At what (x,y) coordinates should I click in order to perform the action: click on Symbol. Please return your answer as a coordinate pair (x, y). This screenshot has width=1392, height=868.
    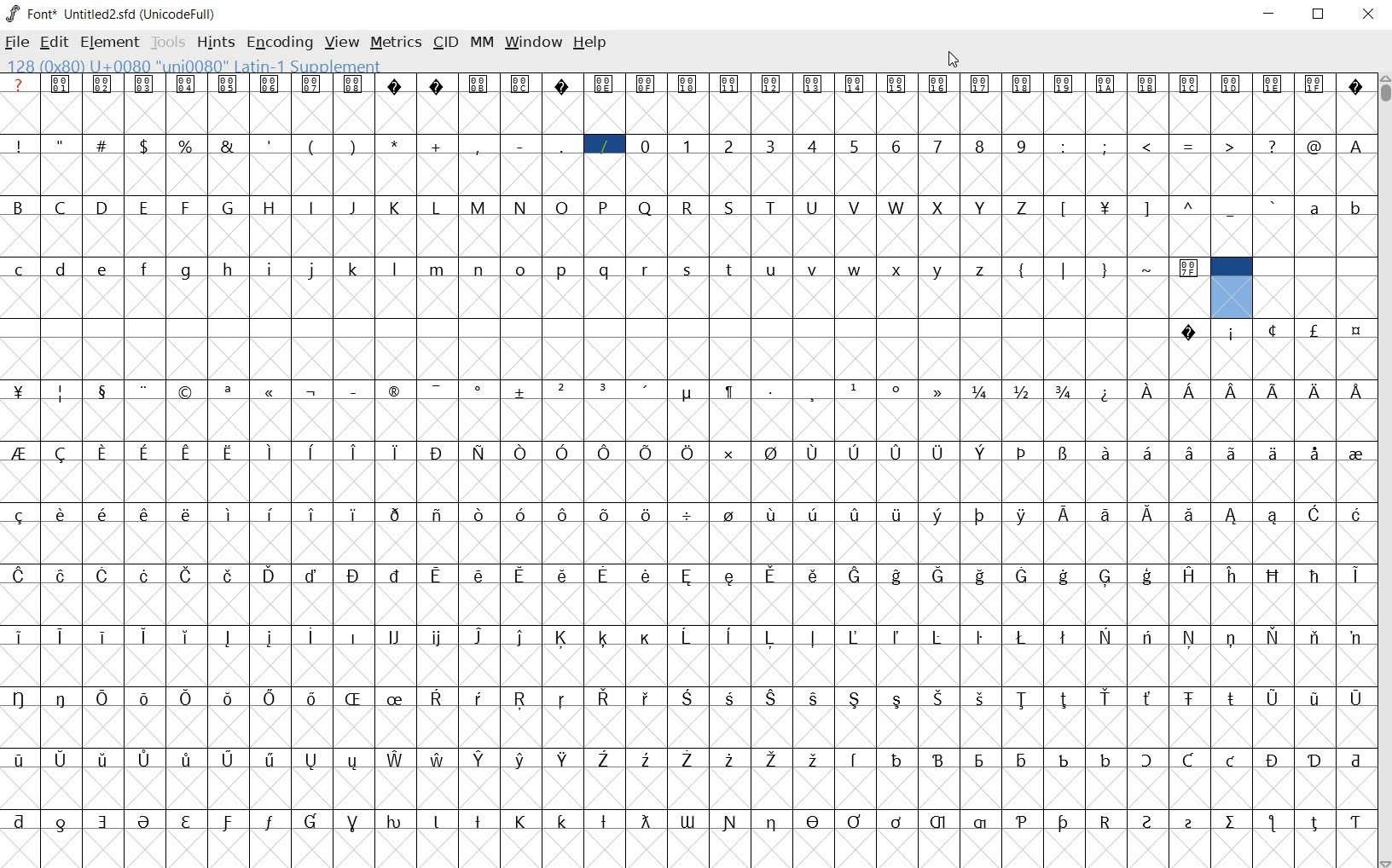
    Looking at the image, I should click on (522, 514).